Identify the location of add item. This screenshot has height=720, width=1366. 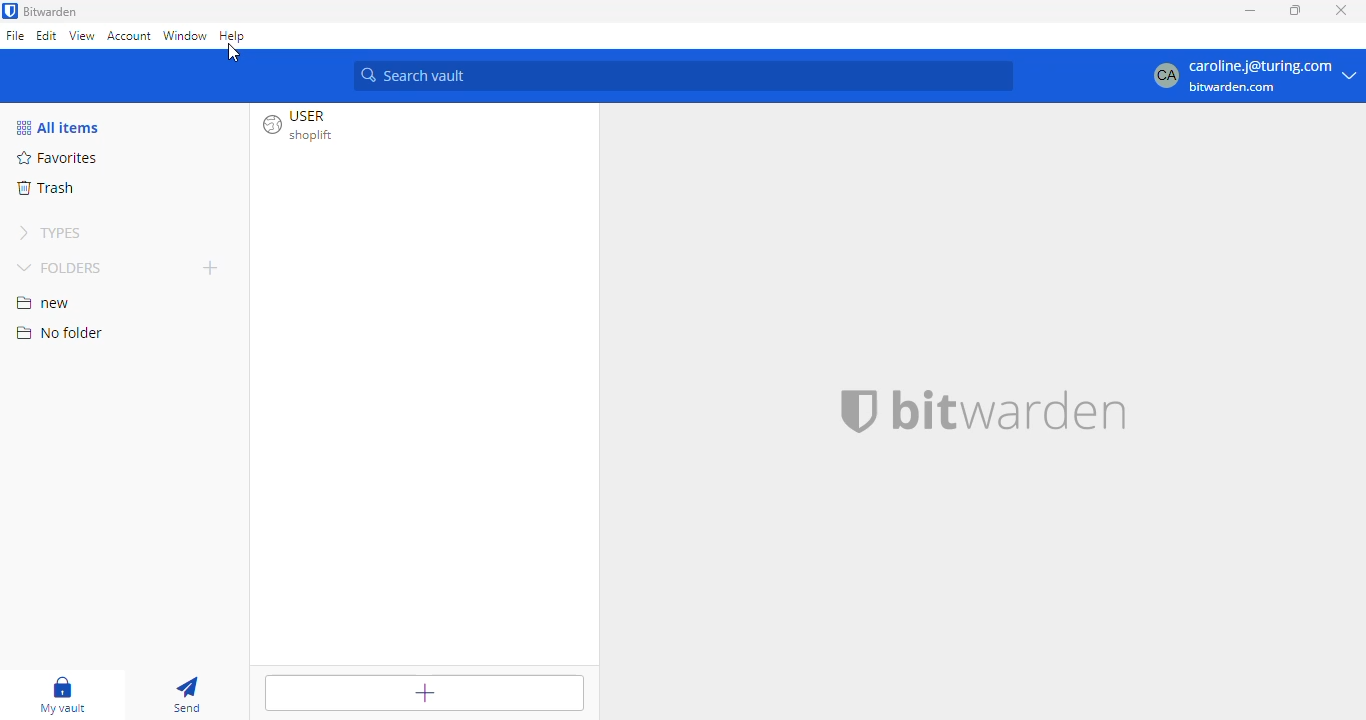
(423, 693).